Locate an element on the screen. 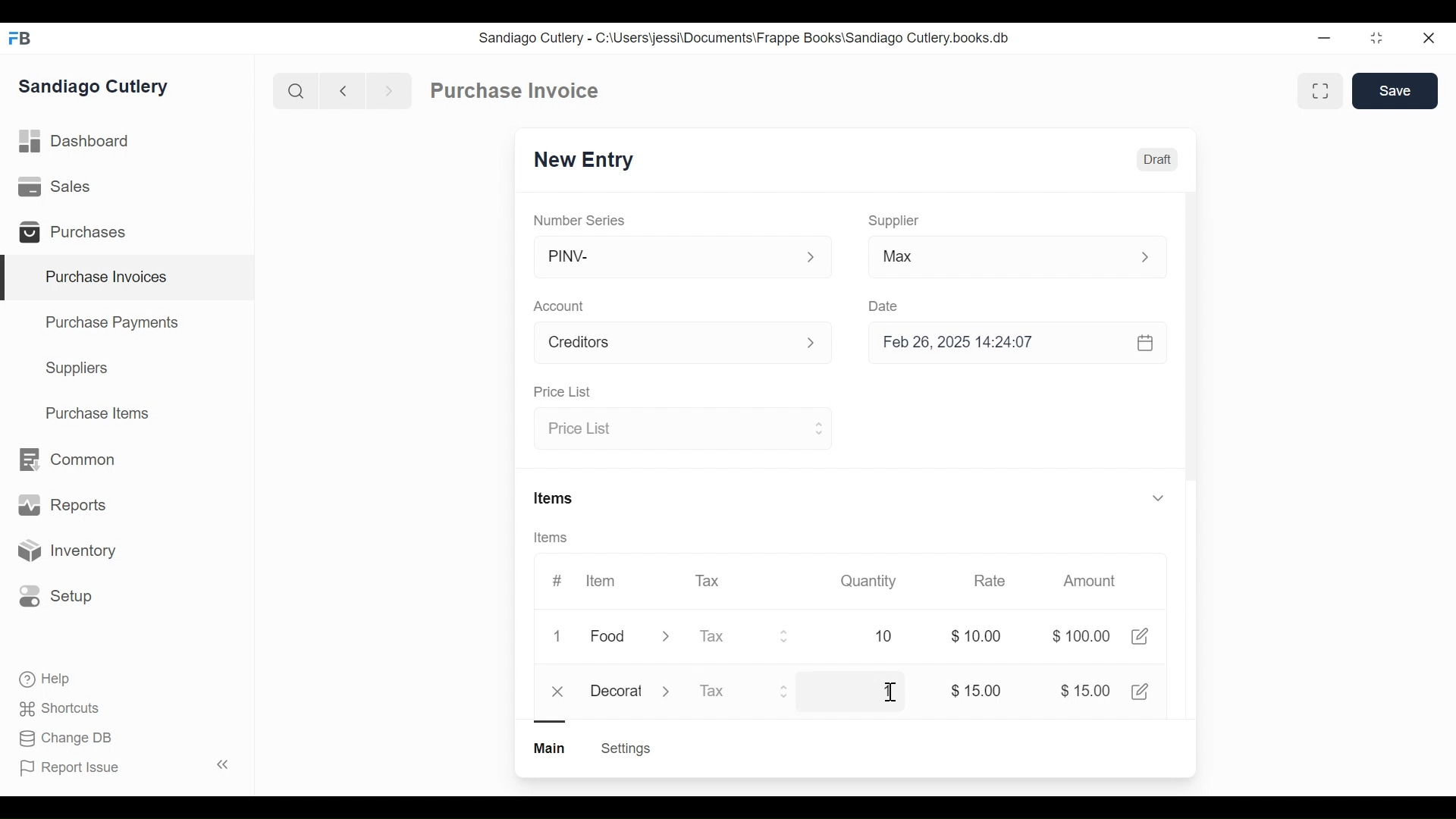  Expand is located at coordinates (1157, 497).